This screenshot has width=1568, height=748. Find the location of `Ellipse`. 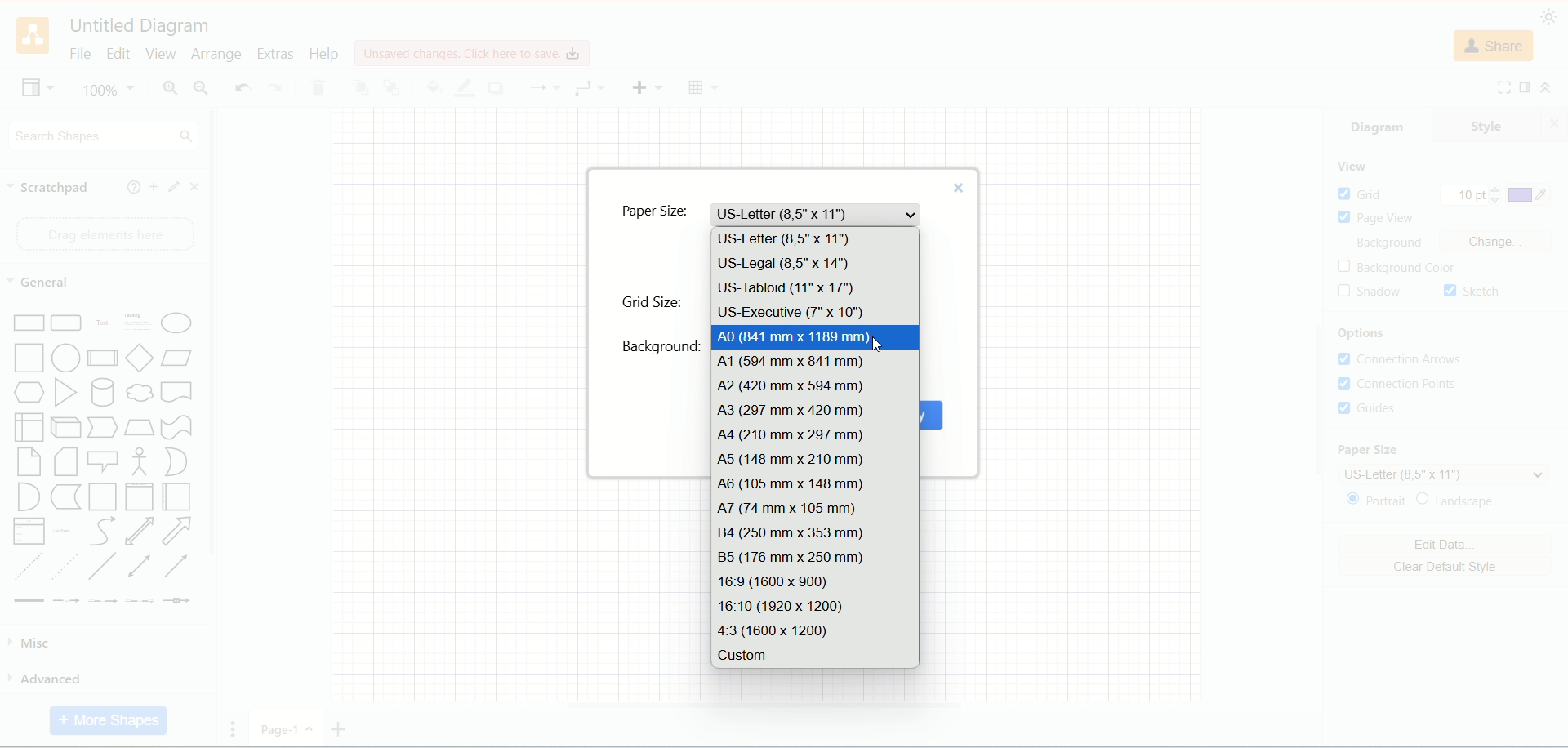

Ellipse is located at coordinates (177, 326).